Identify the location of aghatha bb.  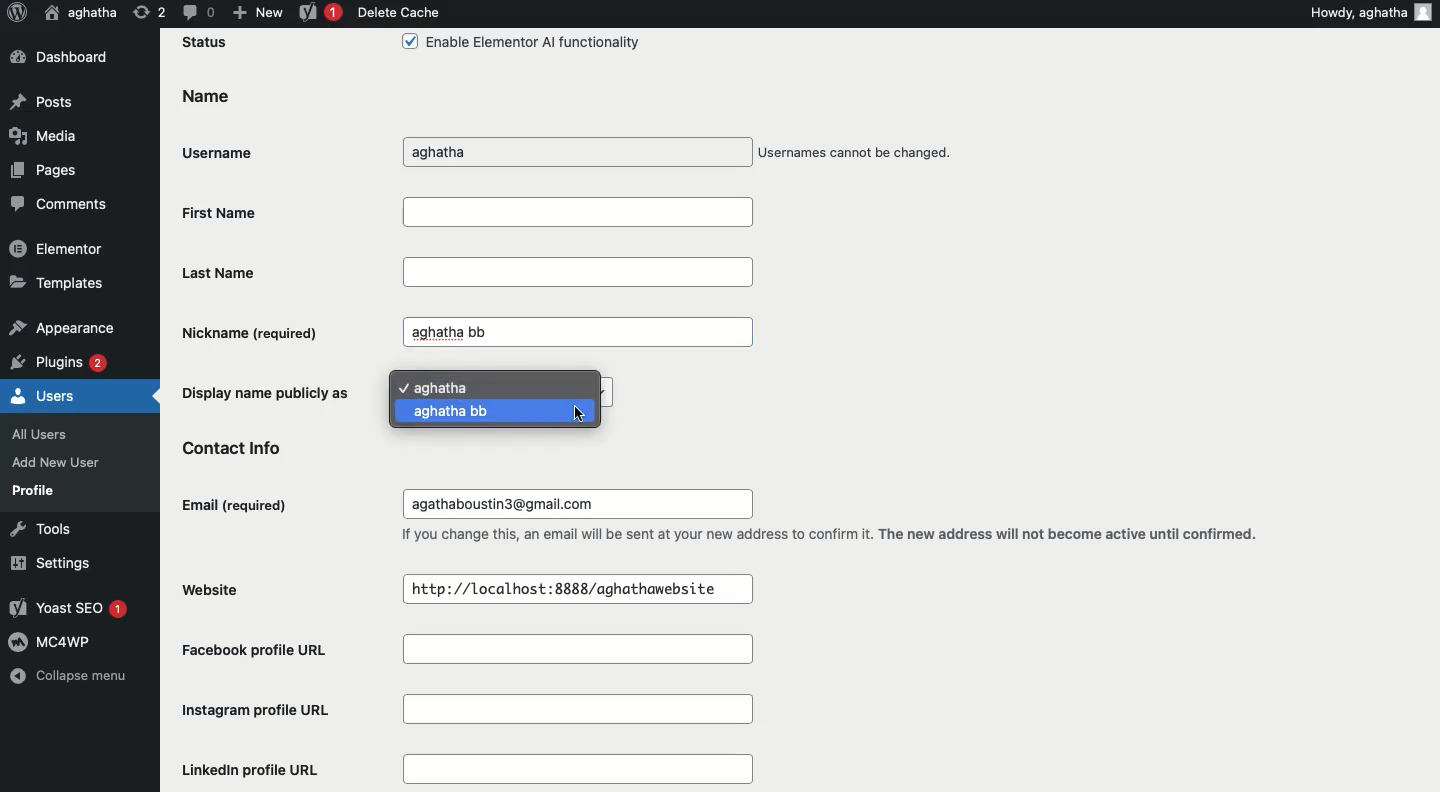
(458, 413).